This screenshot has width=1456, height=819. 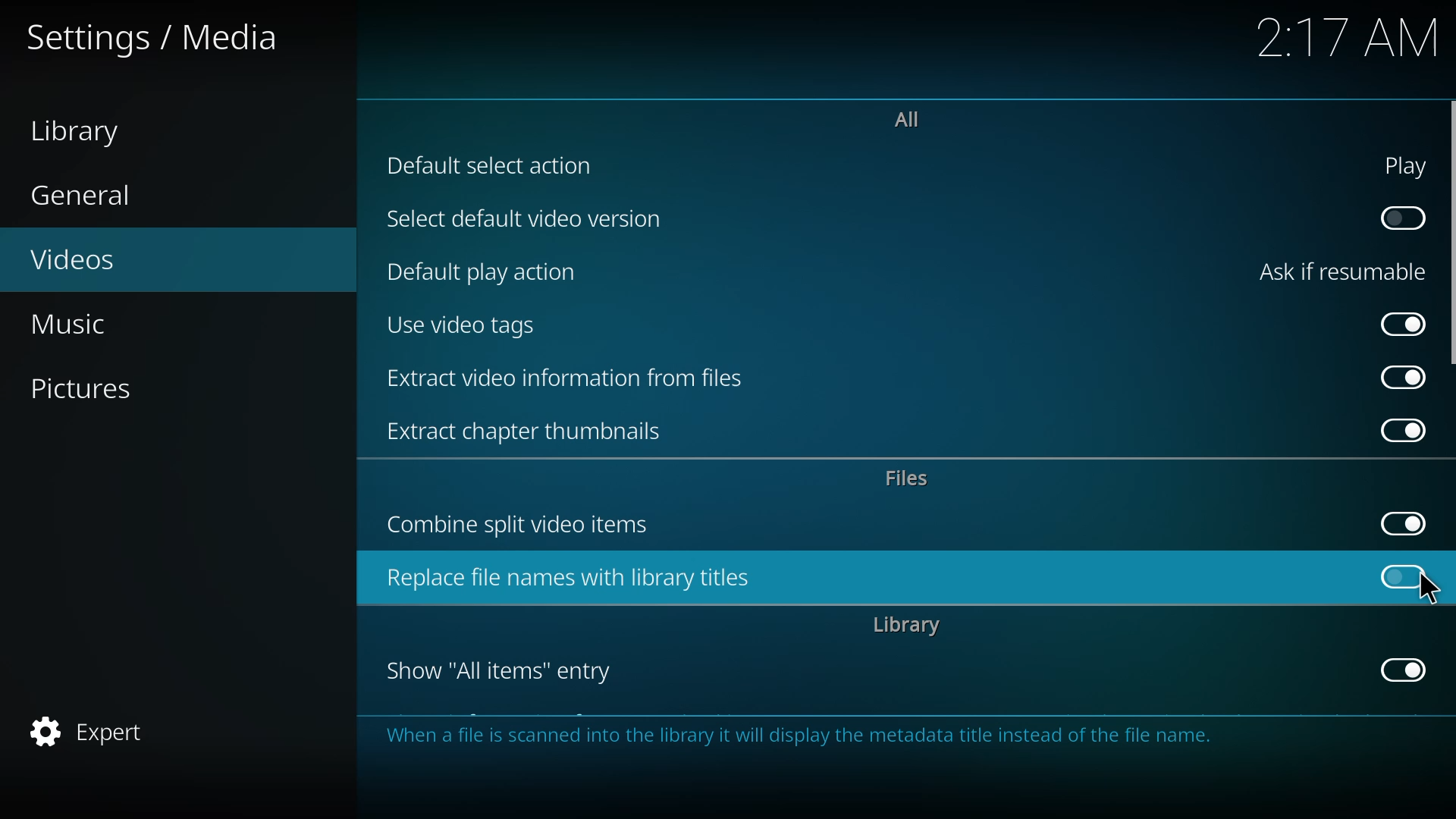 I want to click on replace file names with library titles, so click(x=576, y=580).